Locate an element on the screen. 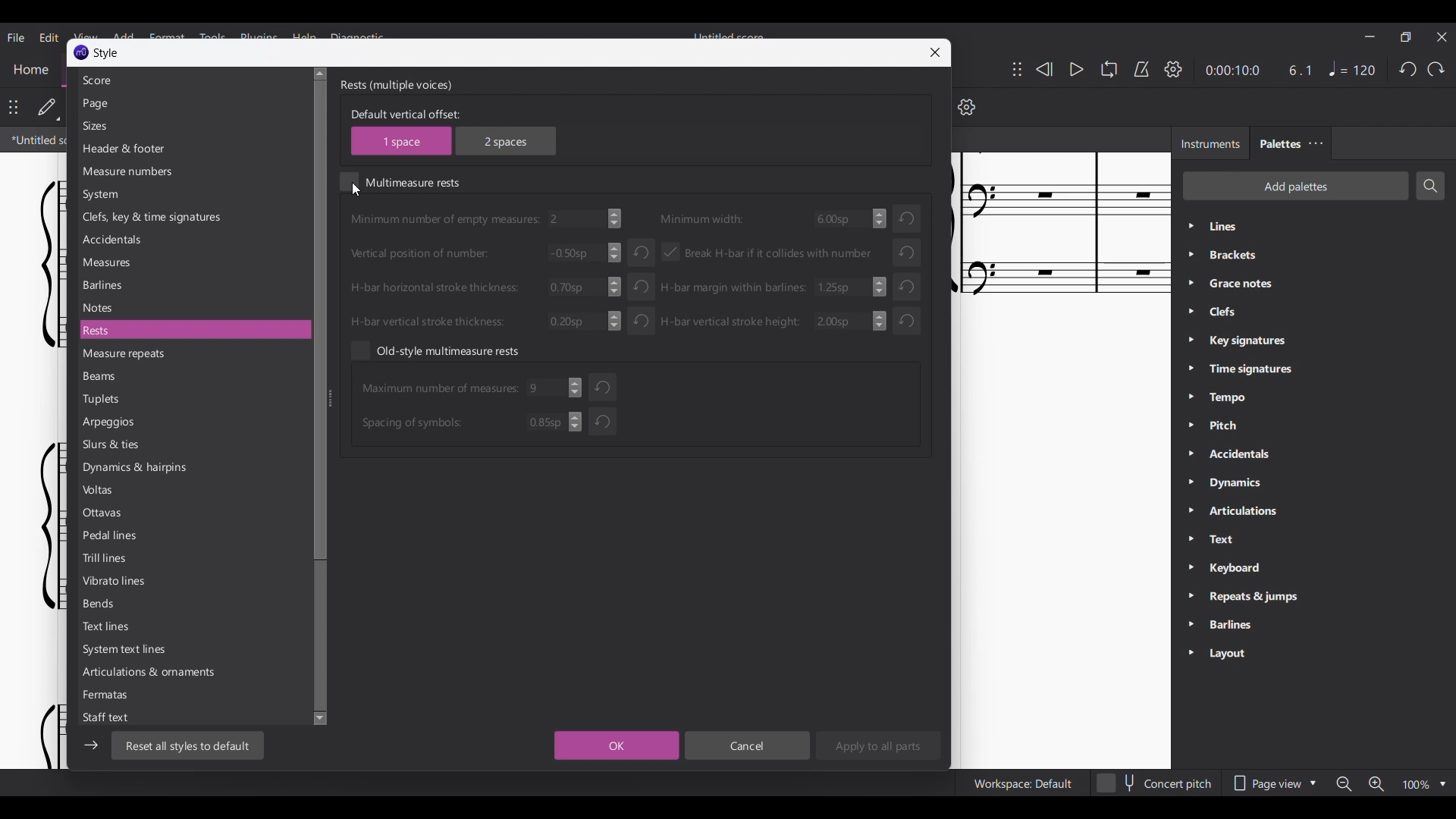 The height and width of the screenshot is (819, 1456). Add palette is located at coordinates (1295, 187).